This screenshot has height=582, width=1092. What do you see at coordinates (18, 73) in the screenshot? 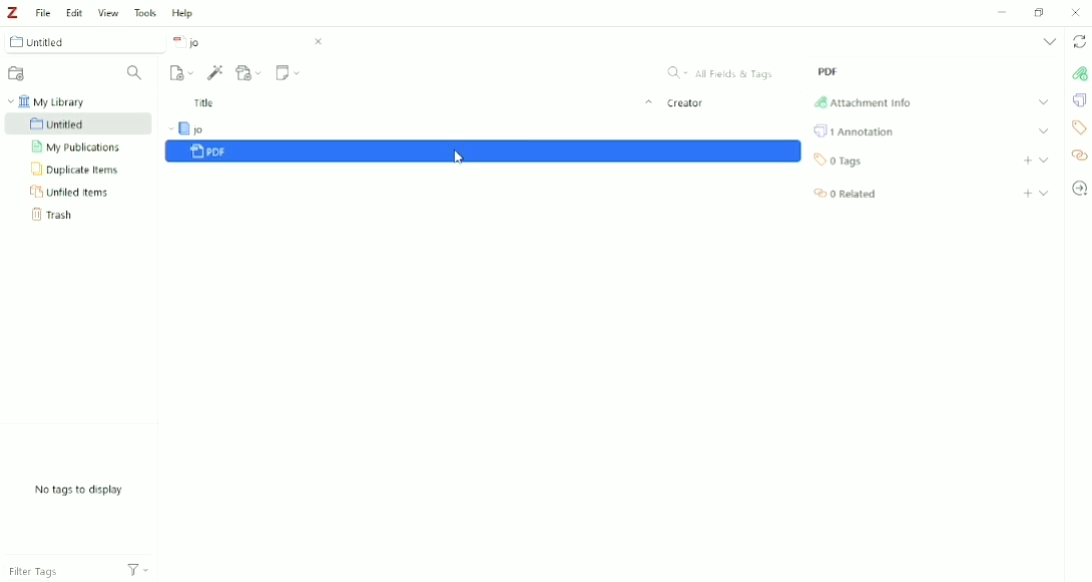
I see `New Collection` at bounding box center [18, 73].